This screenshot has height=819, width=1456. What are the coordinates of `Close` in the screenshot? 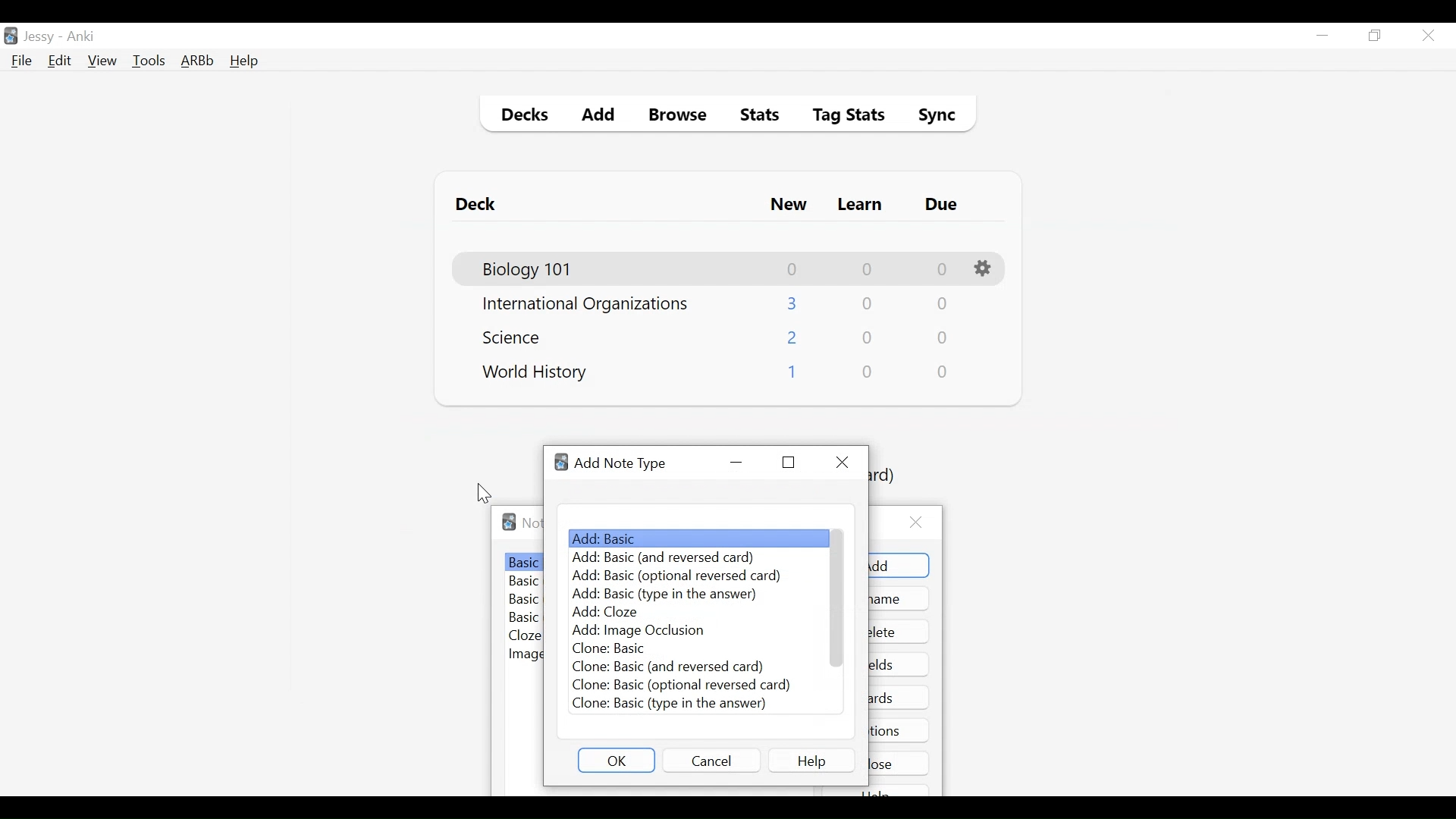 It's located at (920, 522).